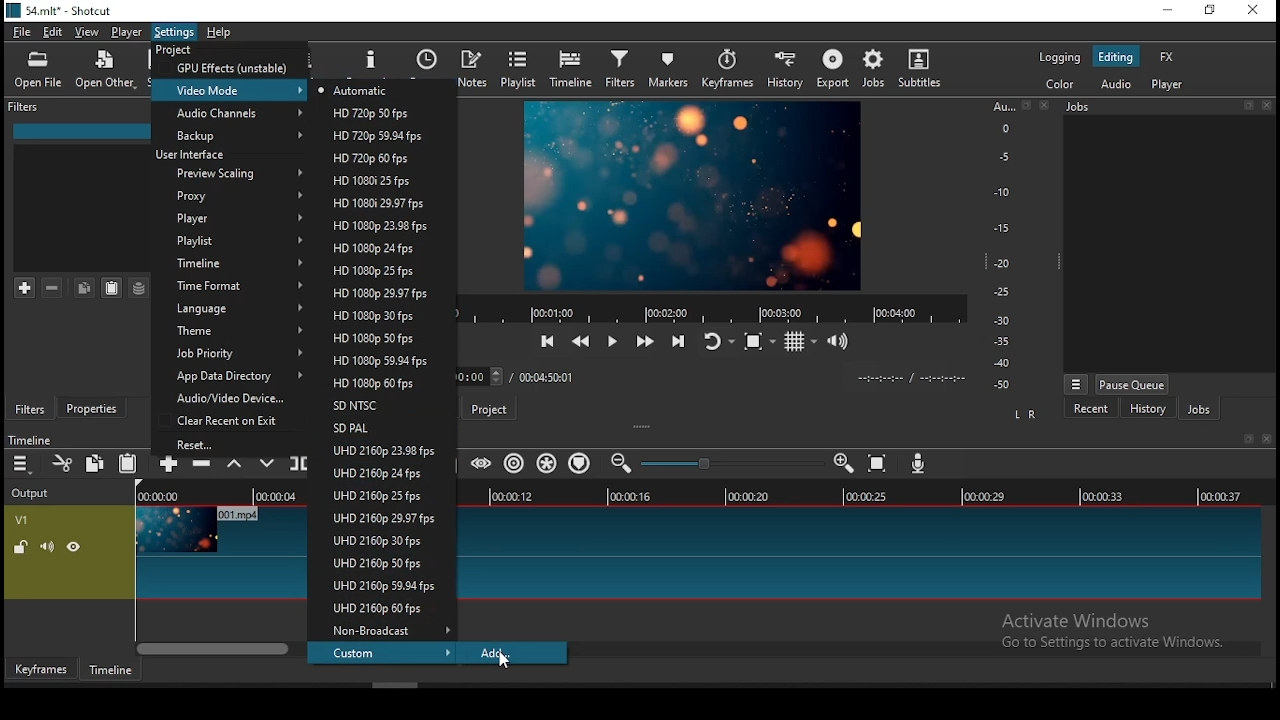 This screenshot has width=1280, height=720. I want to click on language, so click(231, 309).